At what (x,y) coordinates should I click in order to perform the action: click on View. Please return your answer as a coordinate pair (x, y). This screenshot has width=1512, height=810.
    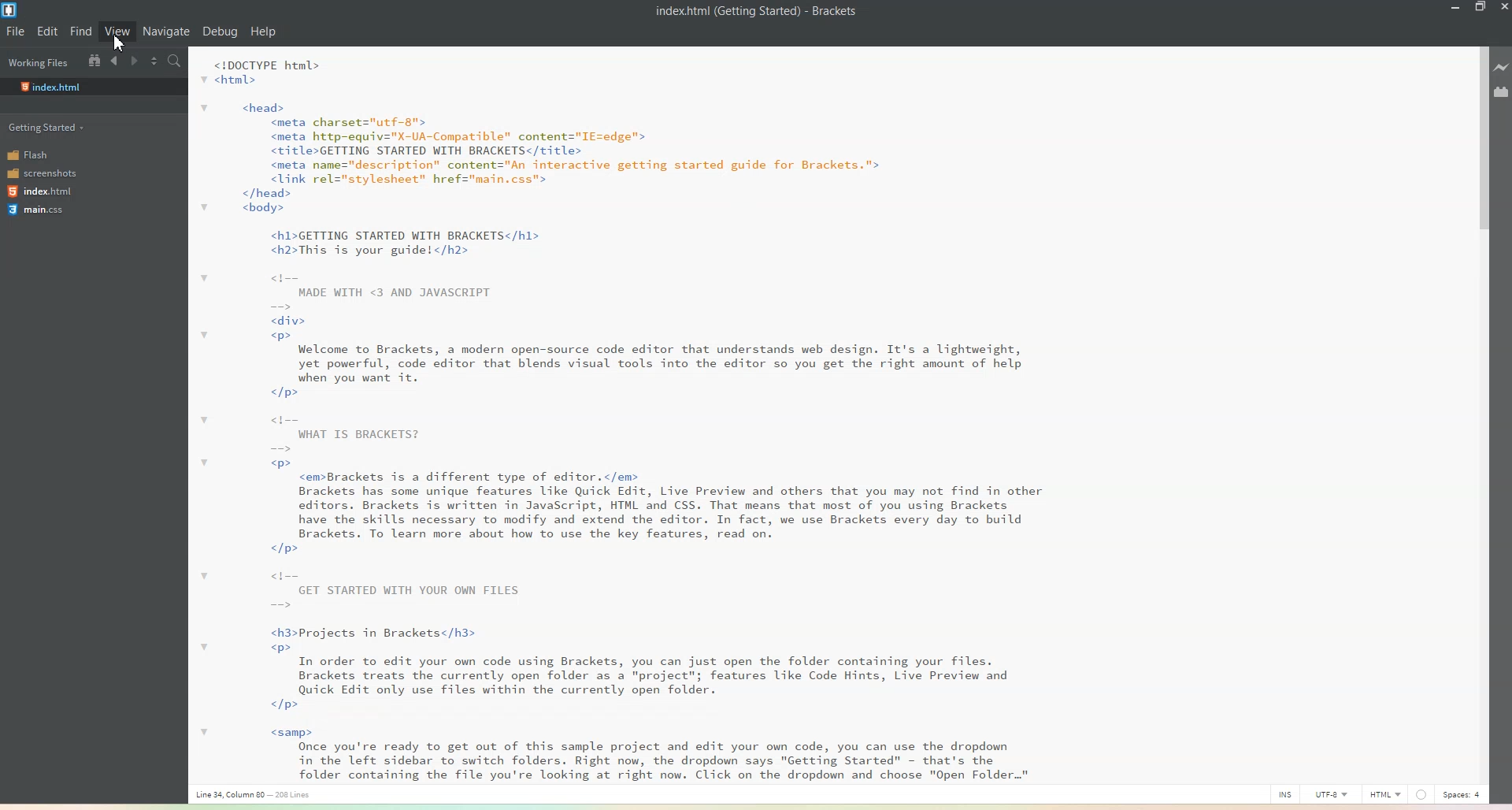
    Looking at the image, I should click on (117, 31).